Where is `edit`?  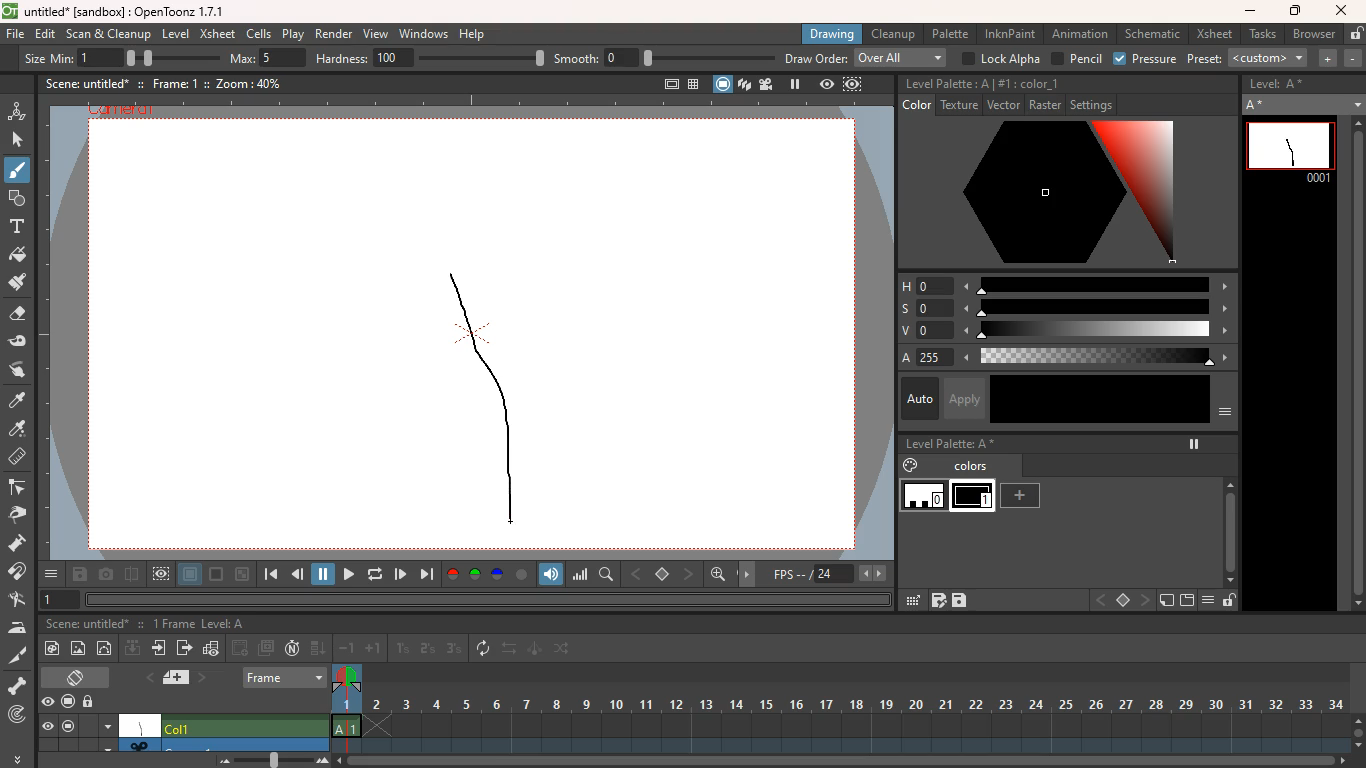
edit is located at coordinates (46, 34).